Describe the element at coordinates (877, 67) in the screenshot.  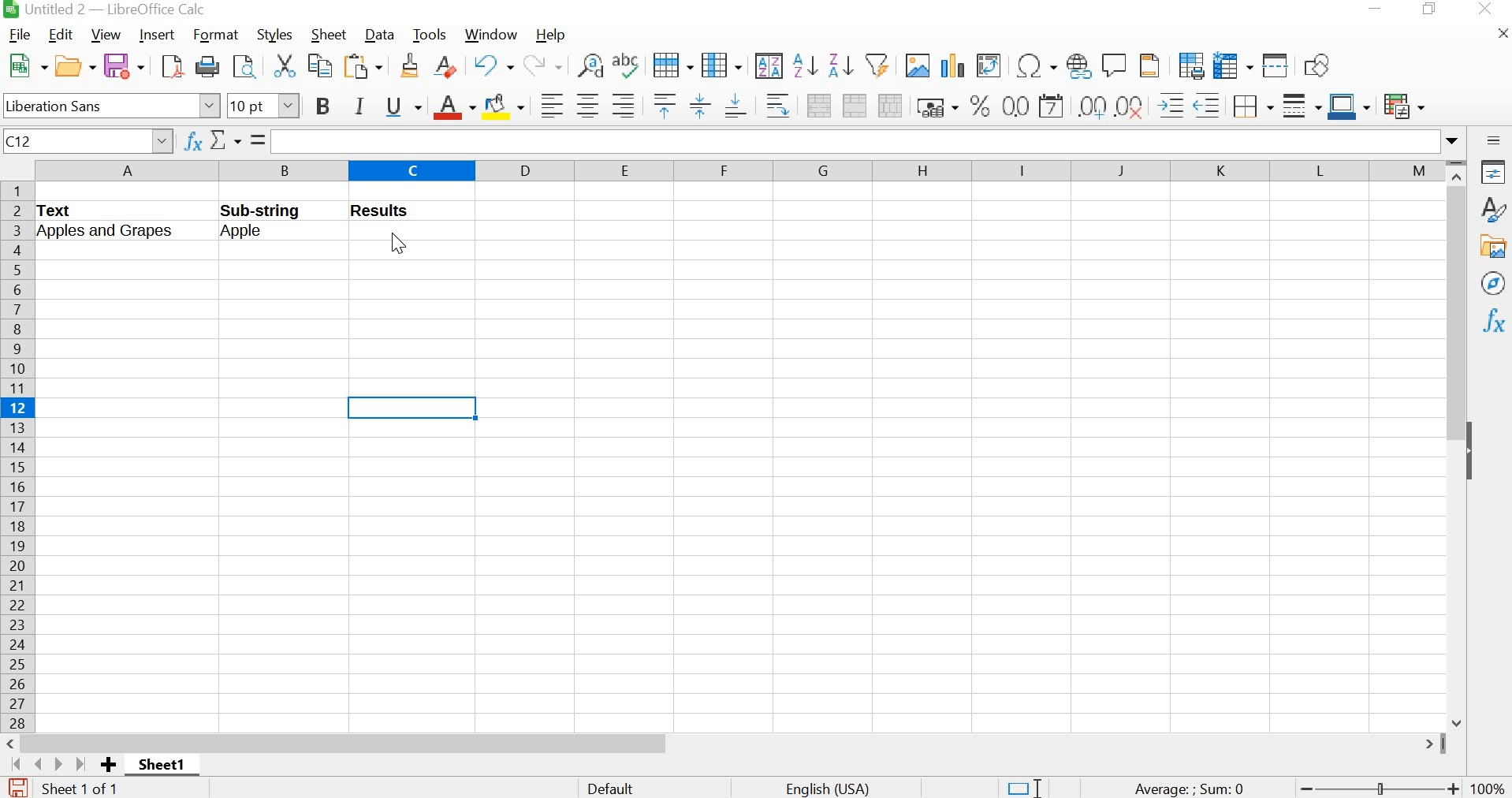
I see `autofilter` at that location.